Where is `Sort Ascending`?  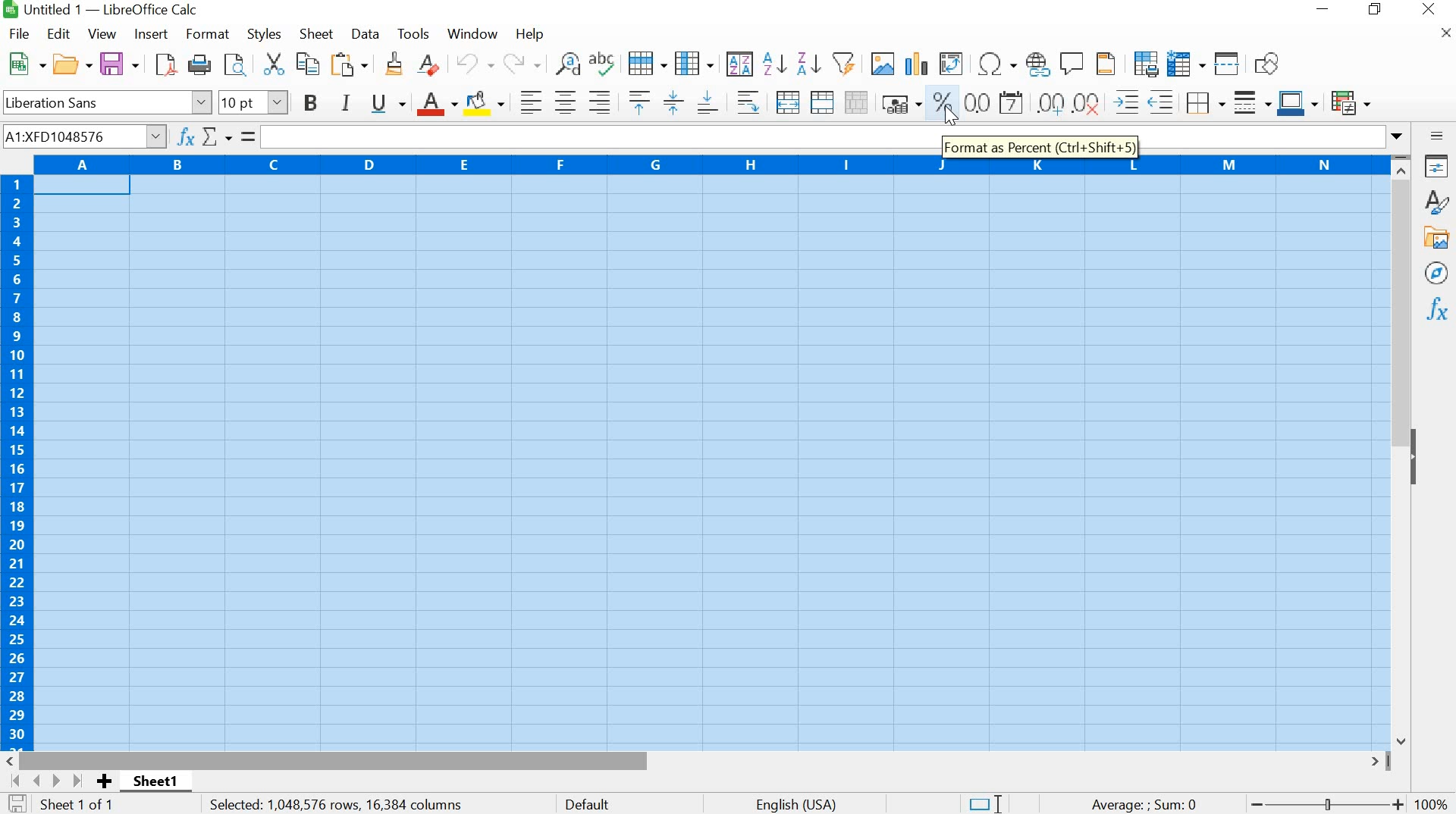 Sort Ascending is located at coordinates (773, 66).